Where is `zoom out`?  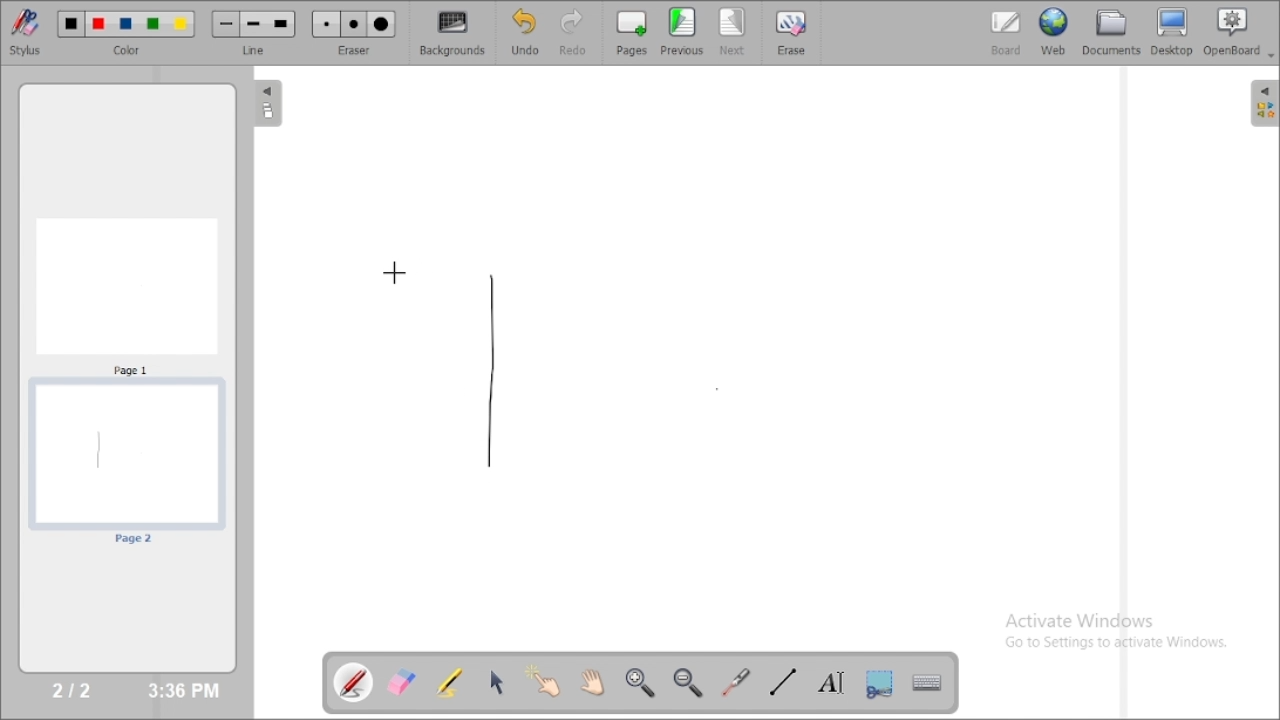
zoom out is located at coordinates (690, 683).